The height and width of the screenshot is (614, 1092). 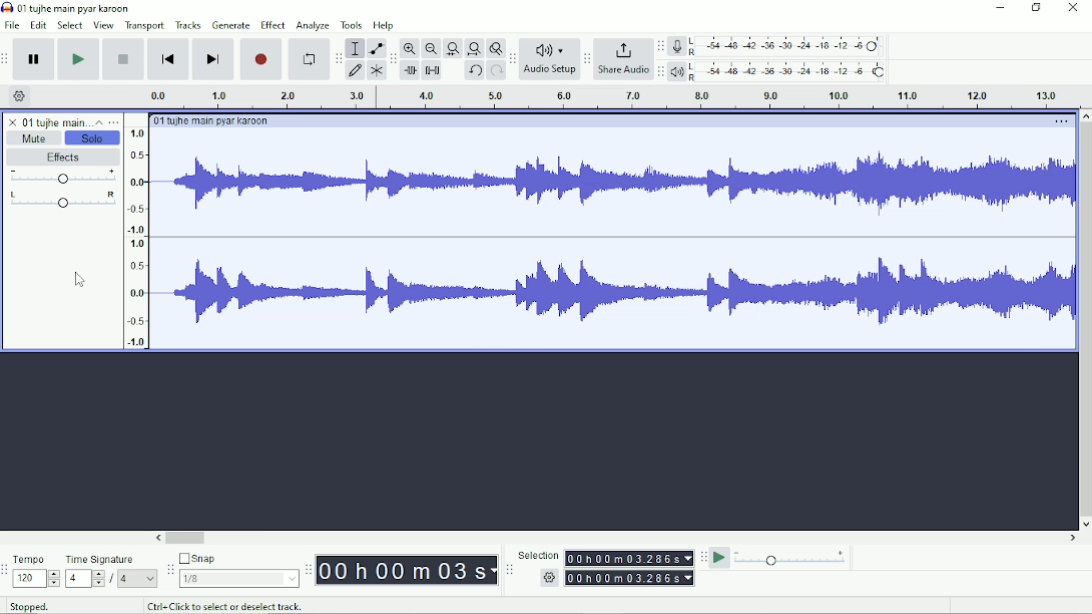 I want to click on Collapse, so click(x=99, y=122).